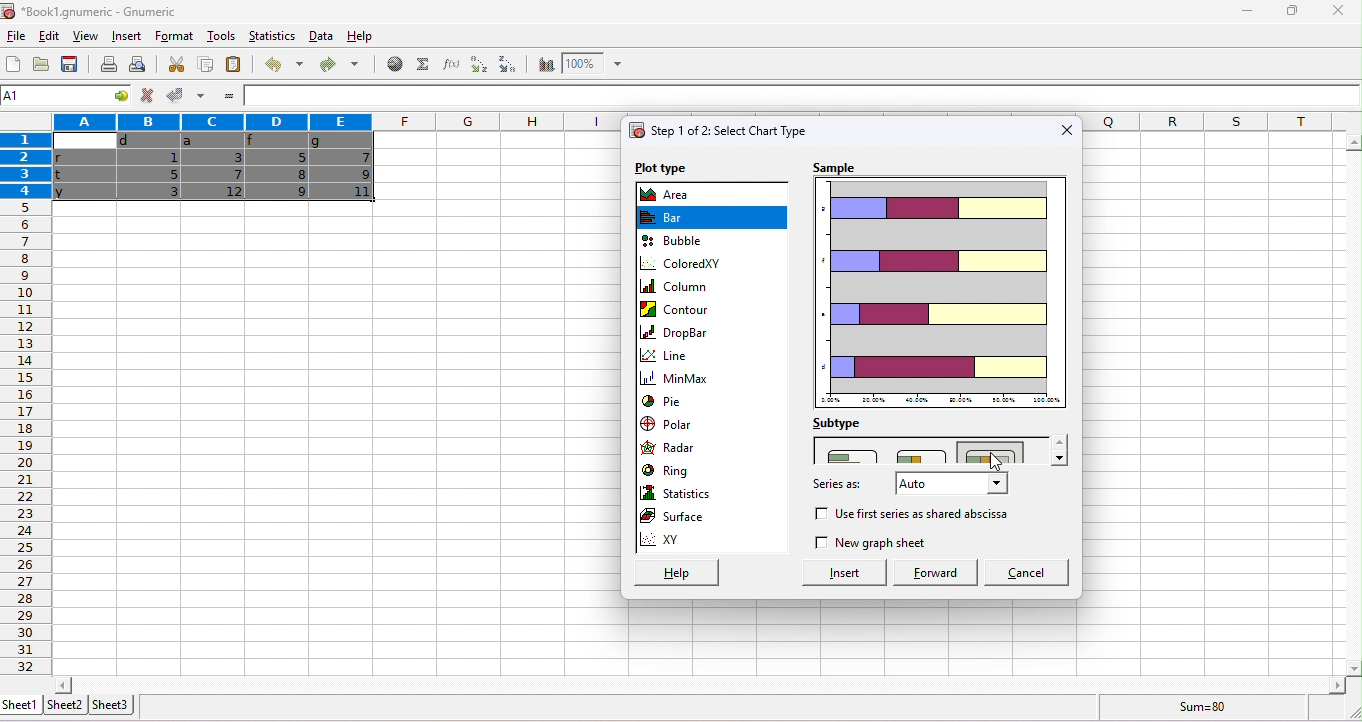 This screenshot has width=1362, height=722. What do you see at coordinates (52, 96) in the screenshot?
I see `4R*5C` at bounding box center [52, 96].